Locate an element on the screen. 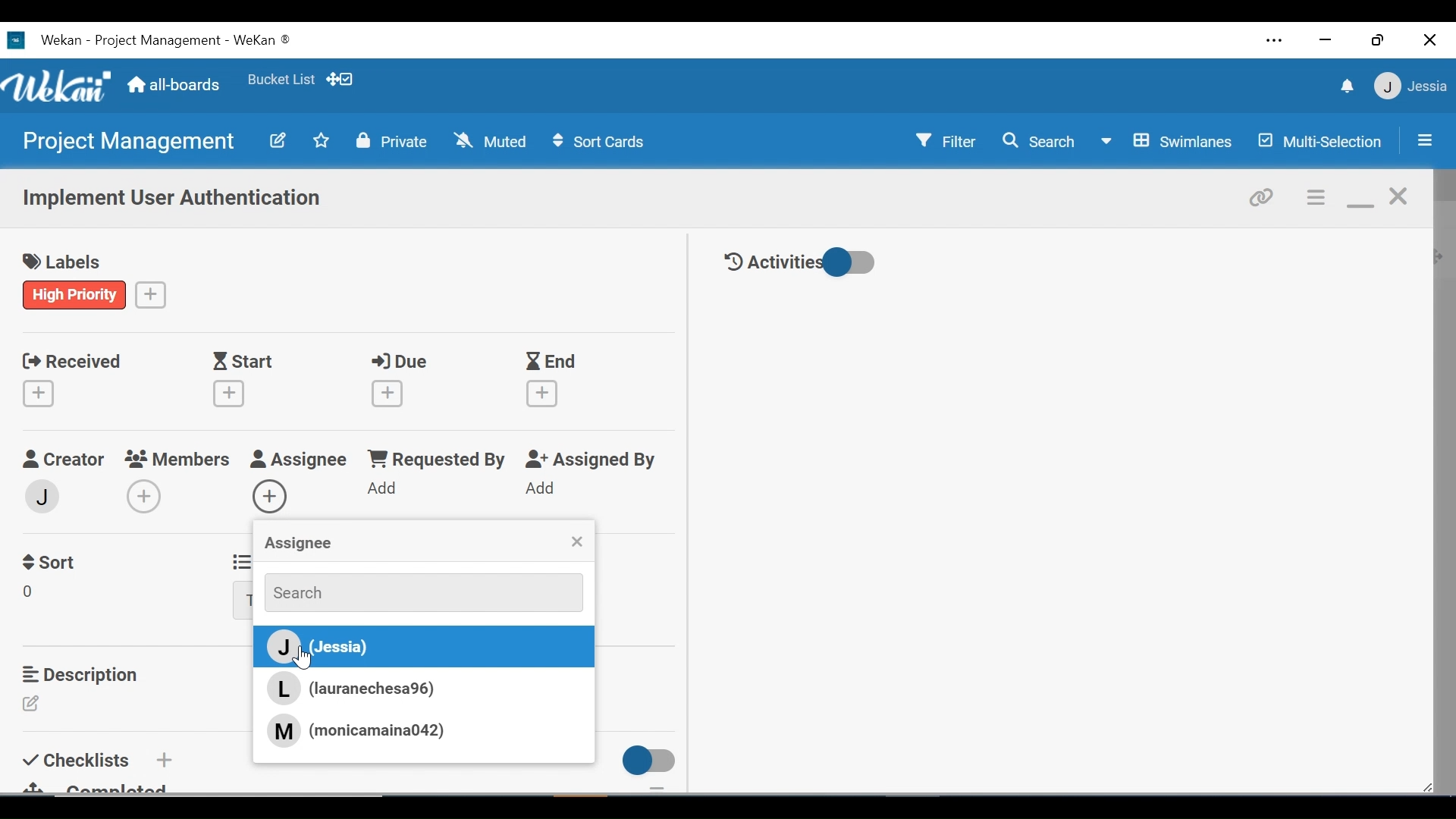  Favorites is located at coordinates (322, 140).